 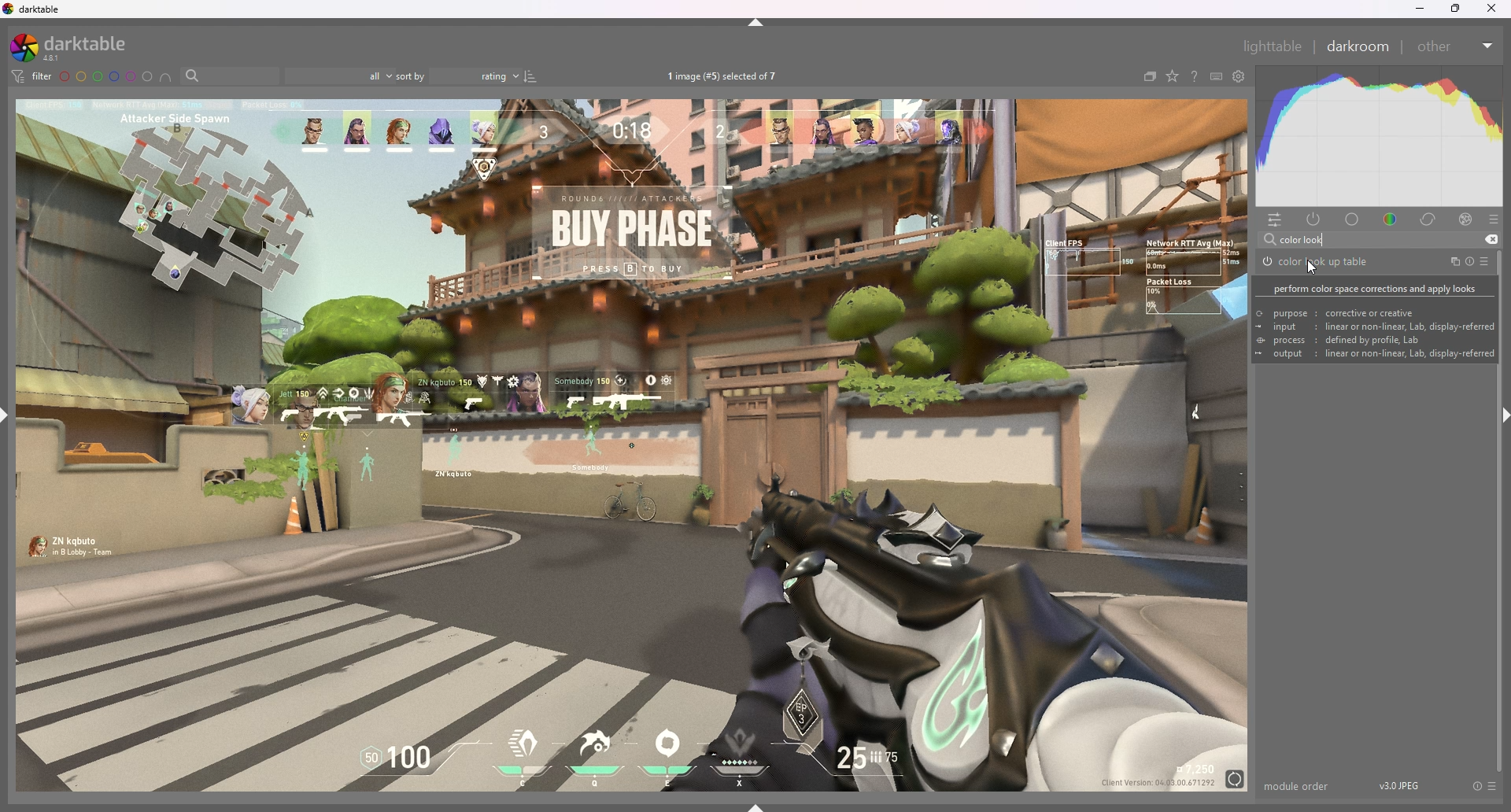 What do you see at coordinates (1306, 239) in the screenshot?
I see `color look` at bounding box center [1306, 239].